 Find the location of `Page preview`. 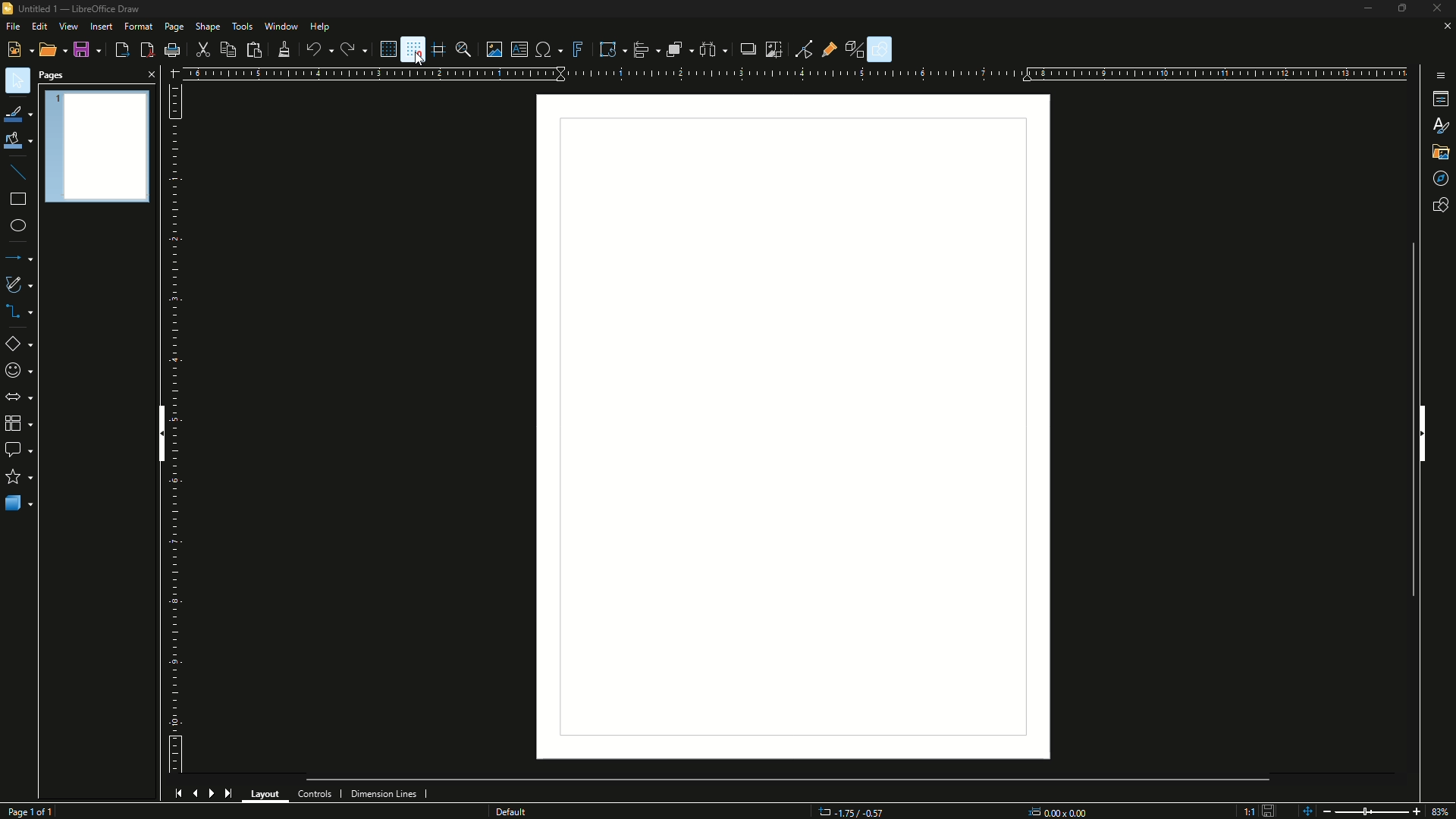

Page preview is located at coordinates (99, 141).